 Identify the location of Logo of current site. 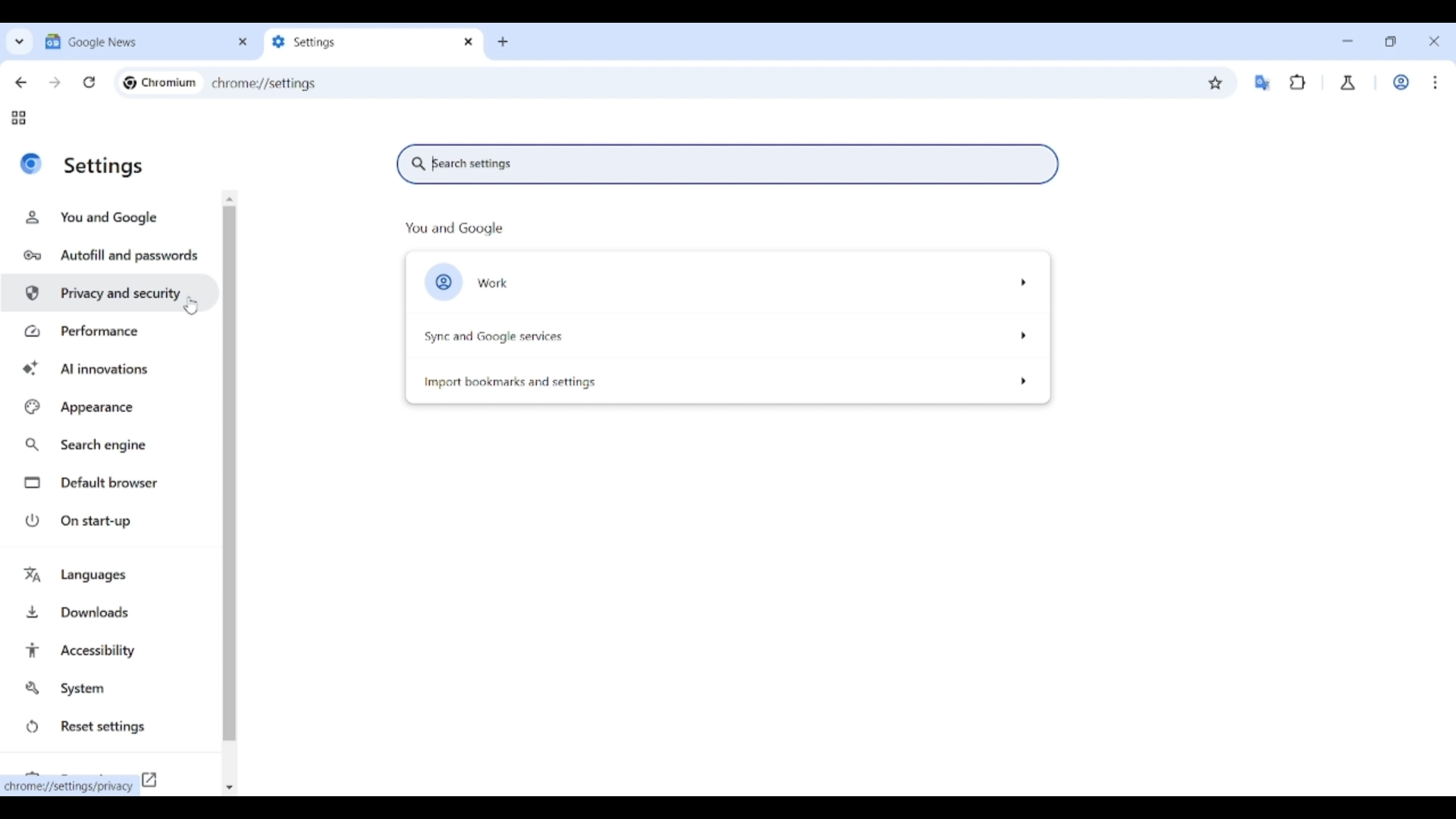
(31, 163).